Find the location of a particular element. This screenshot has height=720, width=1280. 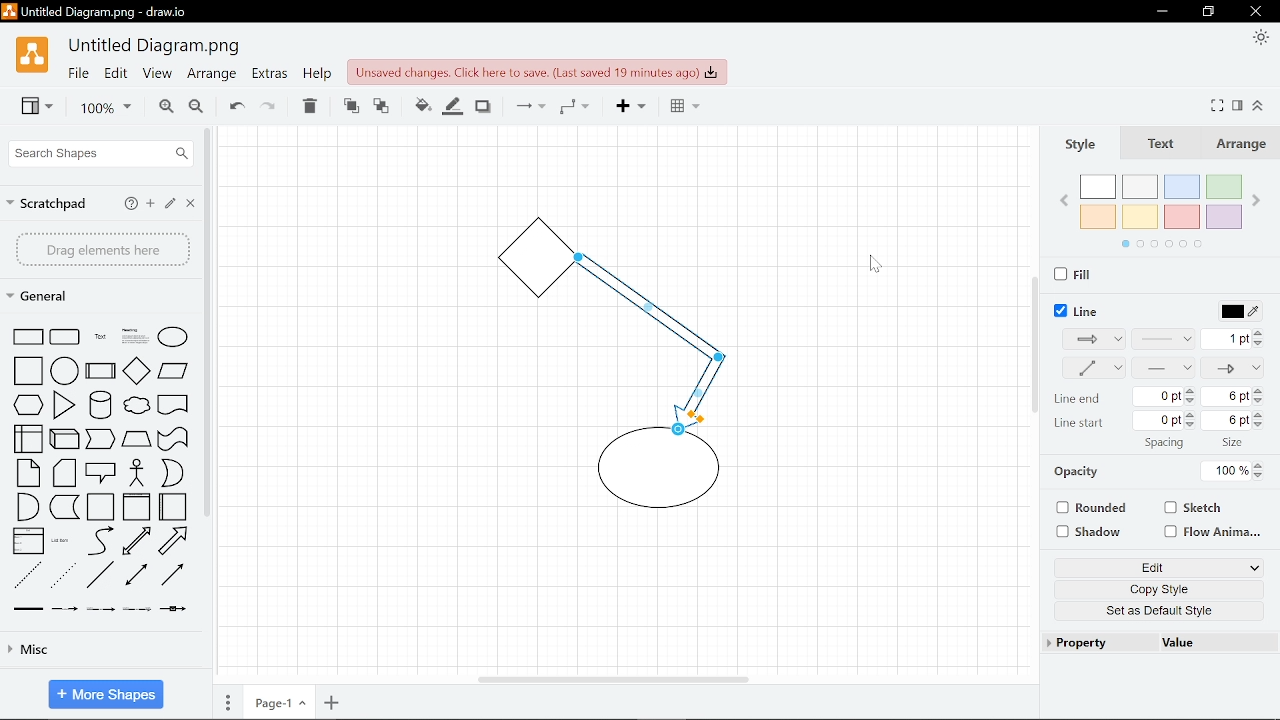

shape is located at coordinates (100, 337).